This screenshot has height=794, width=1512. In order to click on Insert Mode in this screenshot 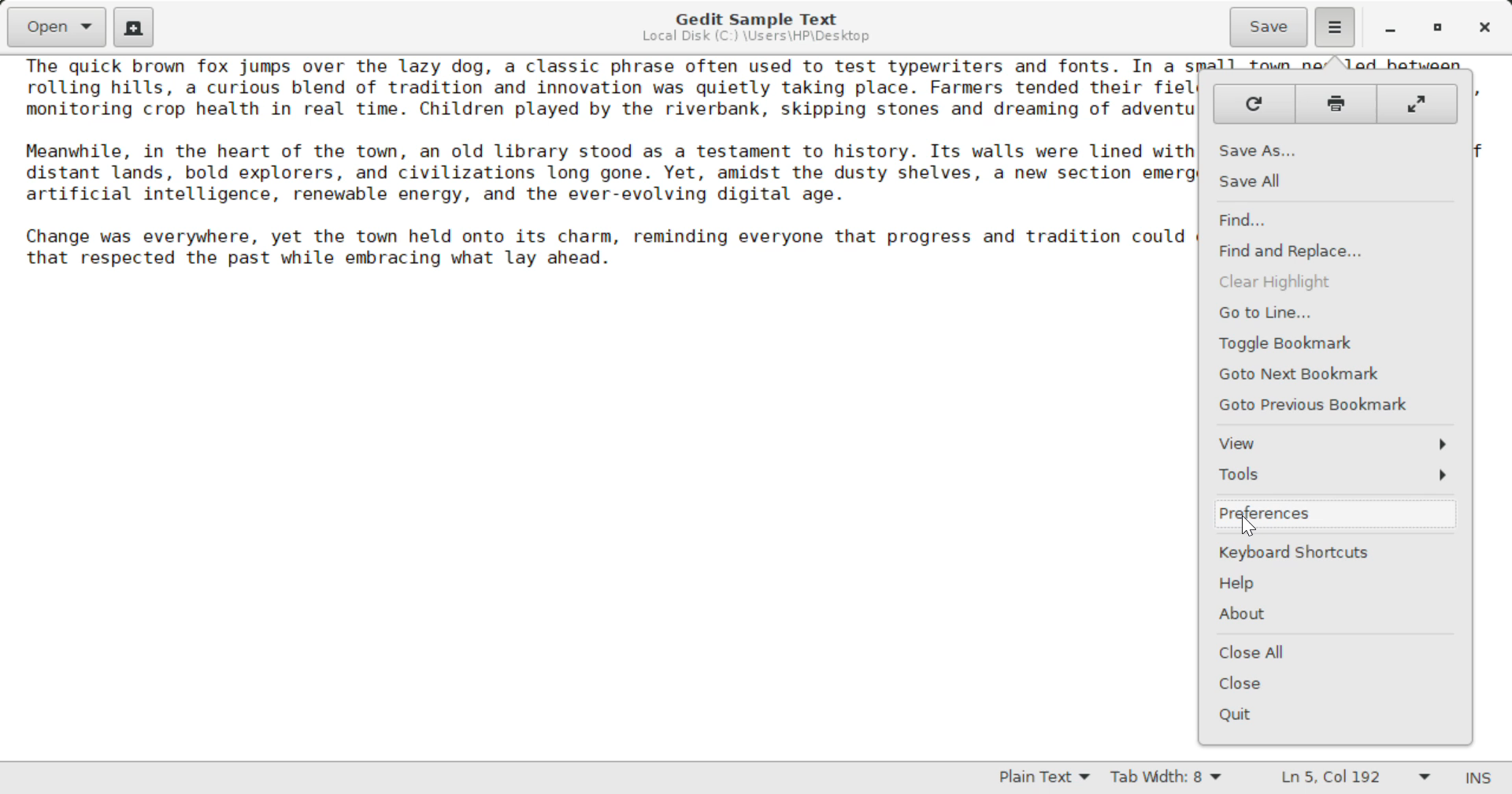, I will do `click(1475, 778)`.